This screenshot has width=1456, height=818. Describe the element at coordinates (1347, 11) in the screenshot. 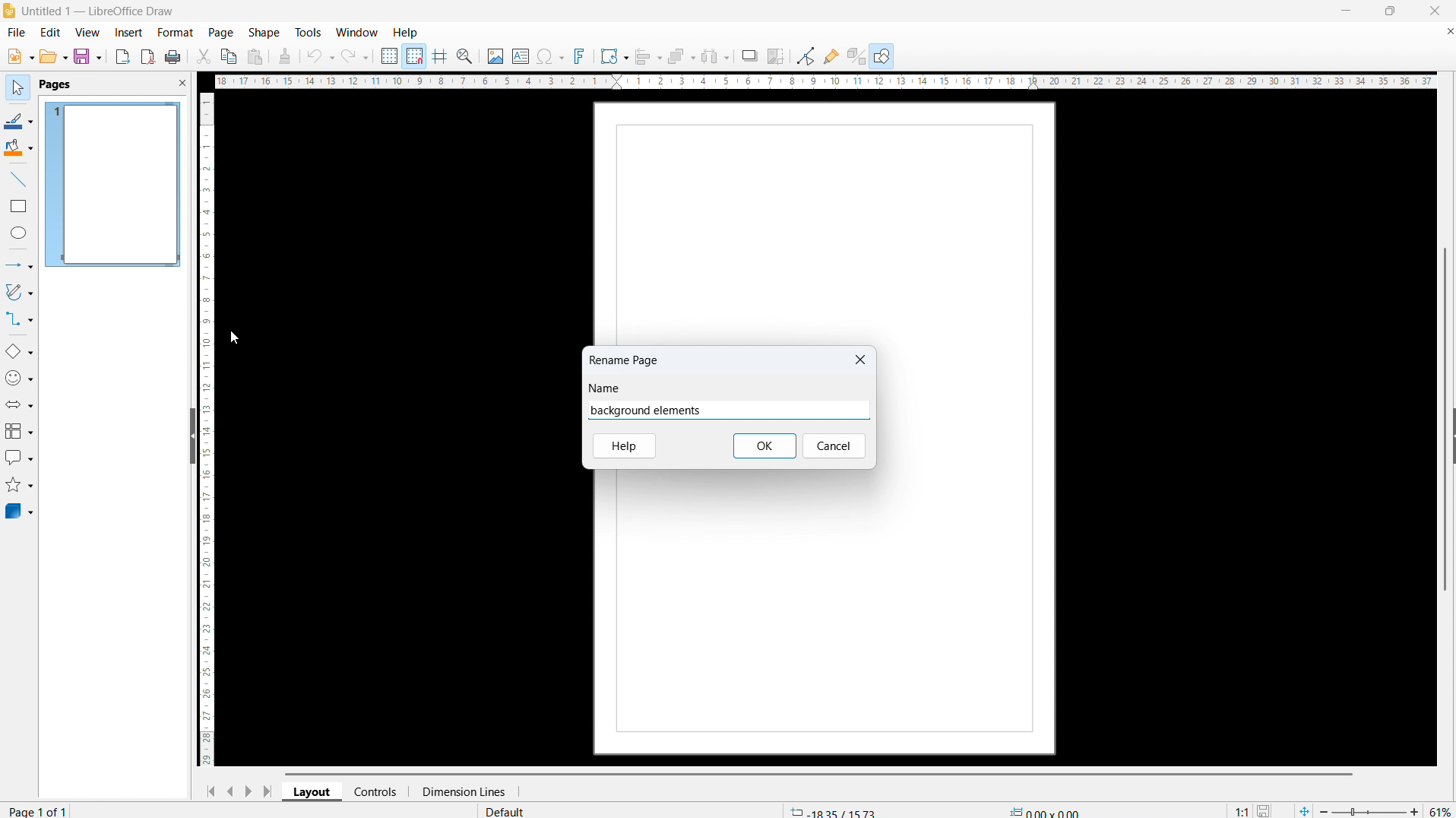

I see `minimize` at that location.